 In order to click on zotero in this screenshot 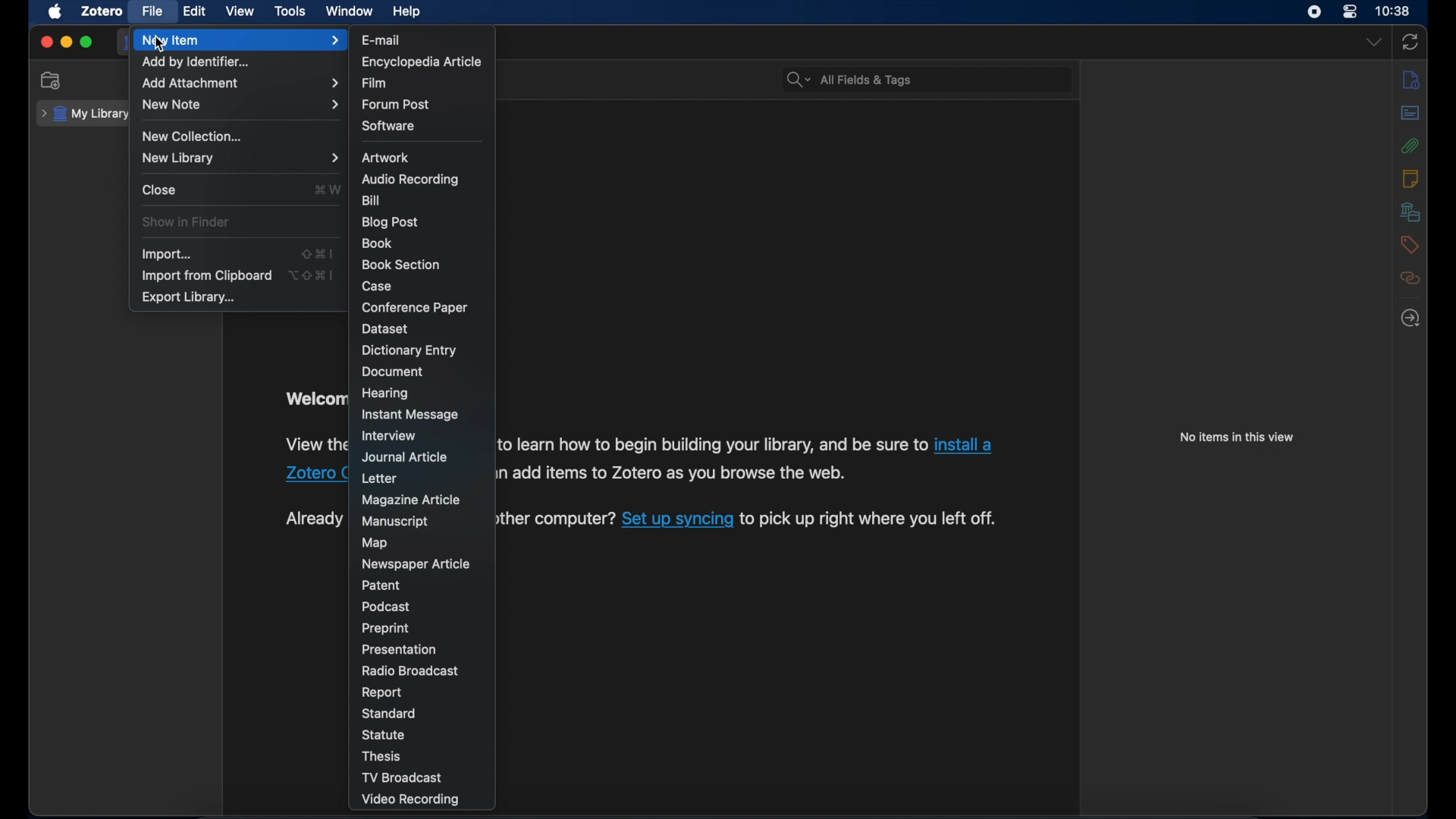, I will do `click(104, 11)`.